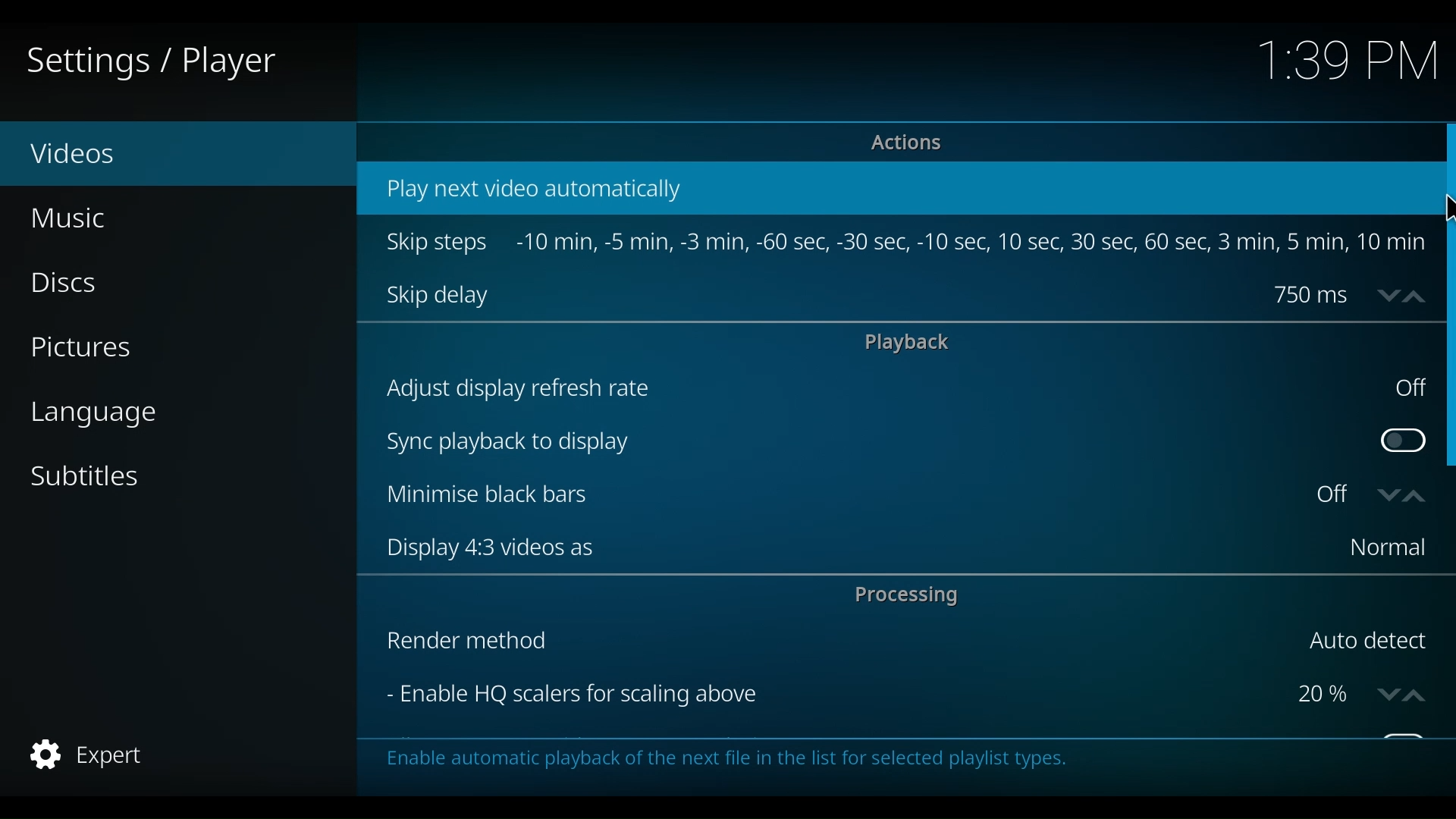 The height and width of the screenshot is (819, 1456). What do you see at coordinates (1386, 494) in the screenshot?
I see `down` at bounding box center [1386, 494].